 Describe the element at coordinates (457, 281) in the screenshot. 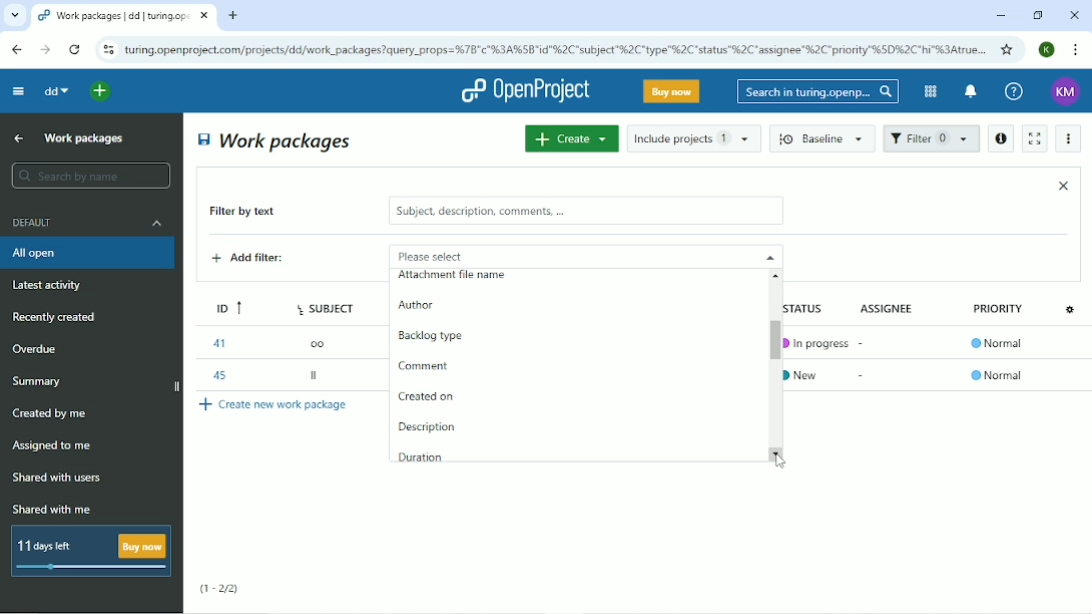

I see `Attachment file name` at that location.